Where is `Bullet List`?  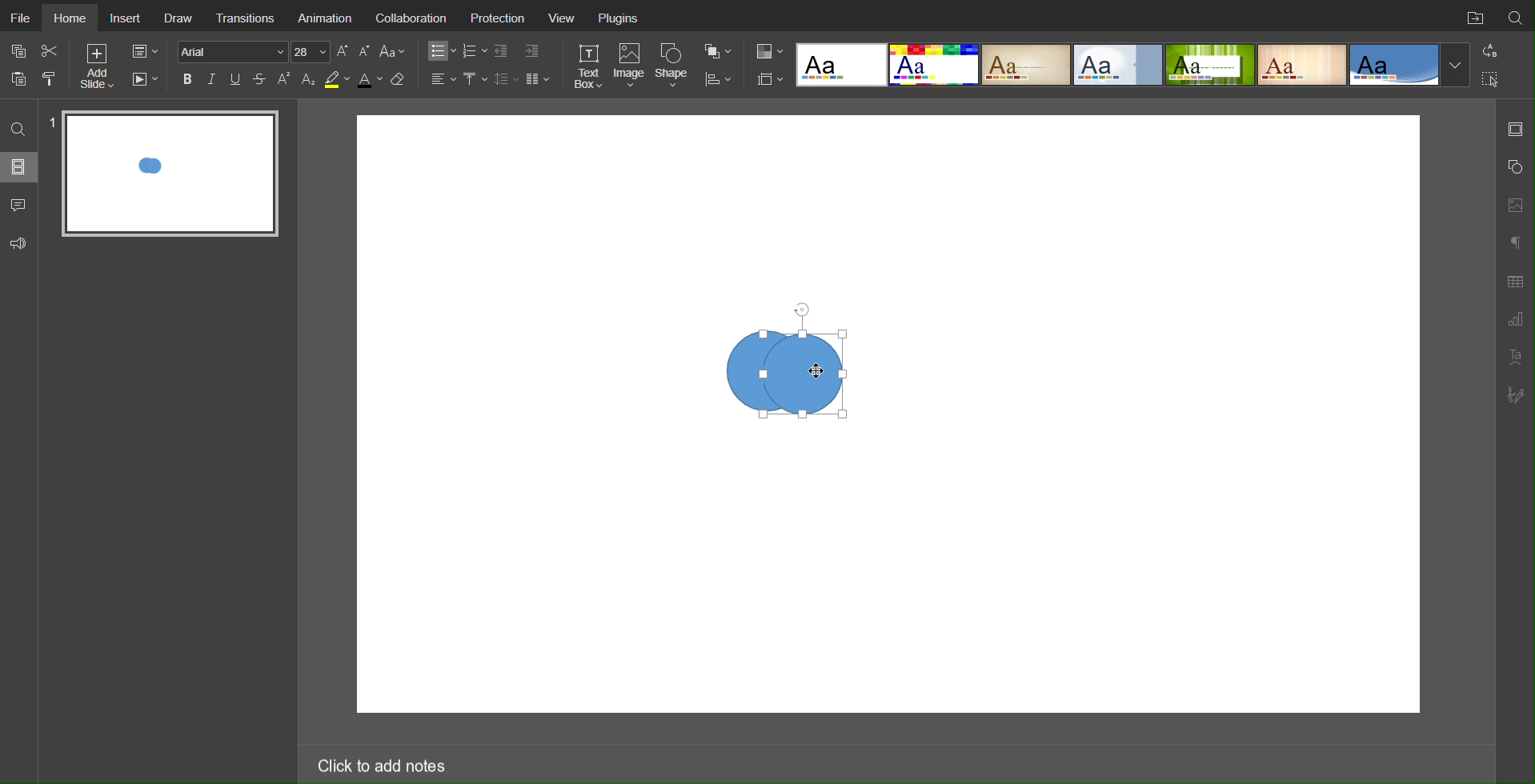
Bullet List is located at coordinates (439, 51).